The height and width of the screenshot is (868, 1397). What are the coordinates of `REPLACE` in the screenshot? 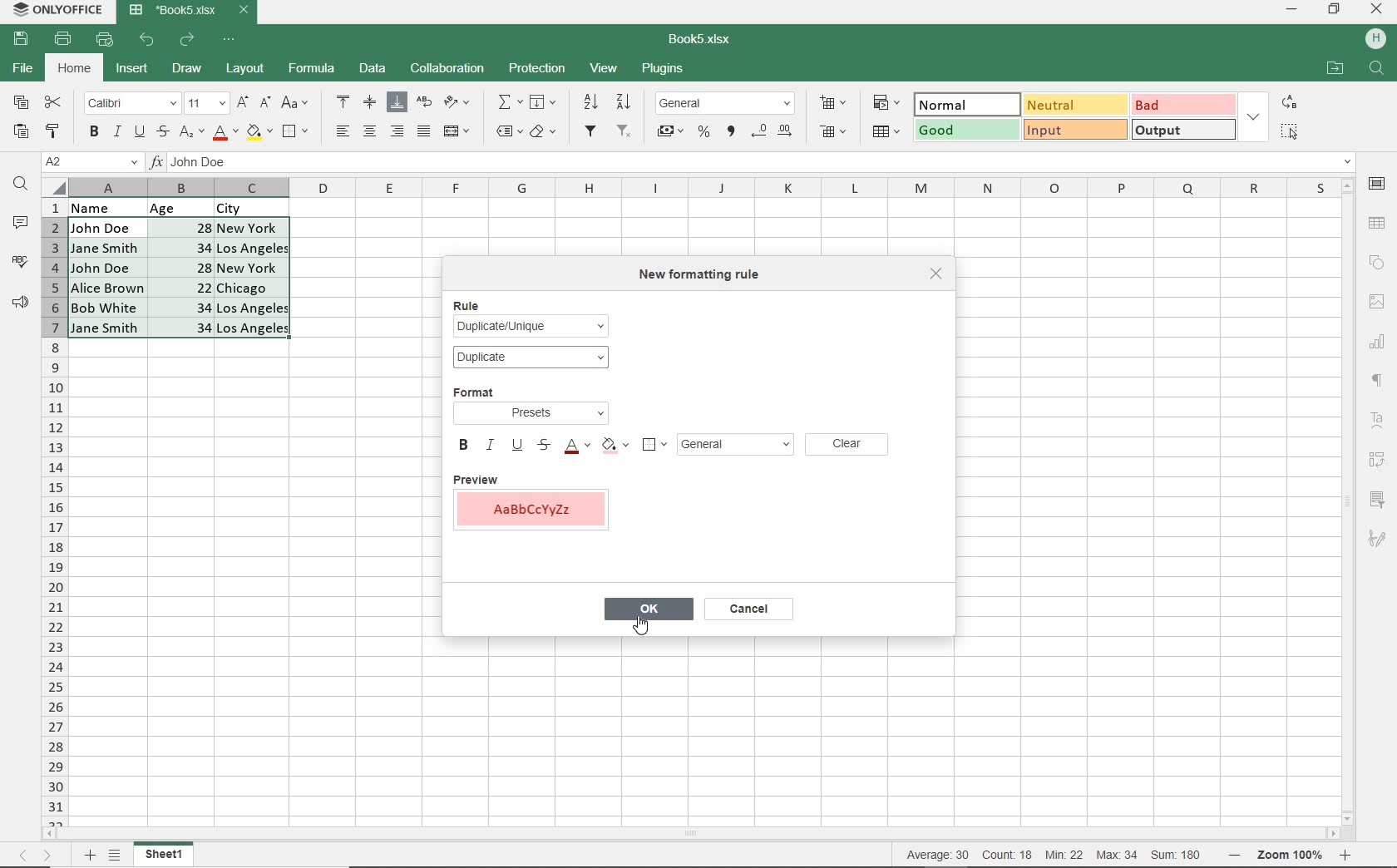 It's located at (1288, 101).